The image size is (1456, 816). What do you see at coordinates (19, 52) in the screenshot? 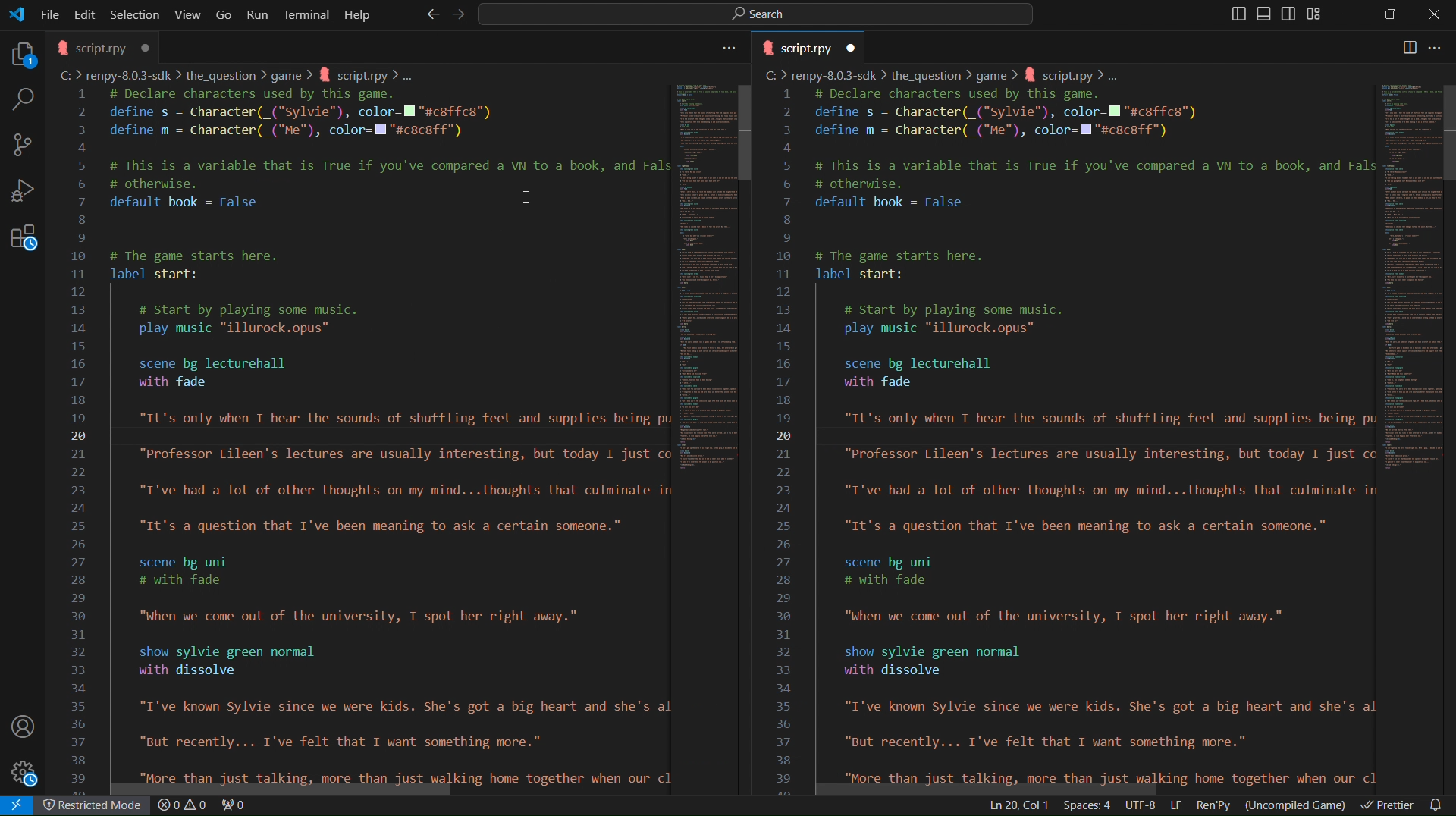
I see `Explorer` at bounding box center [19, 52].